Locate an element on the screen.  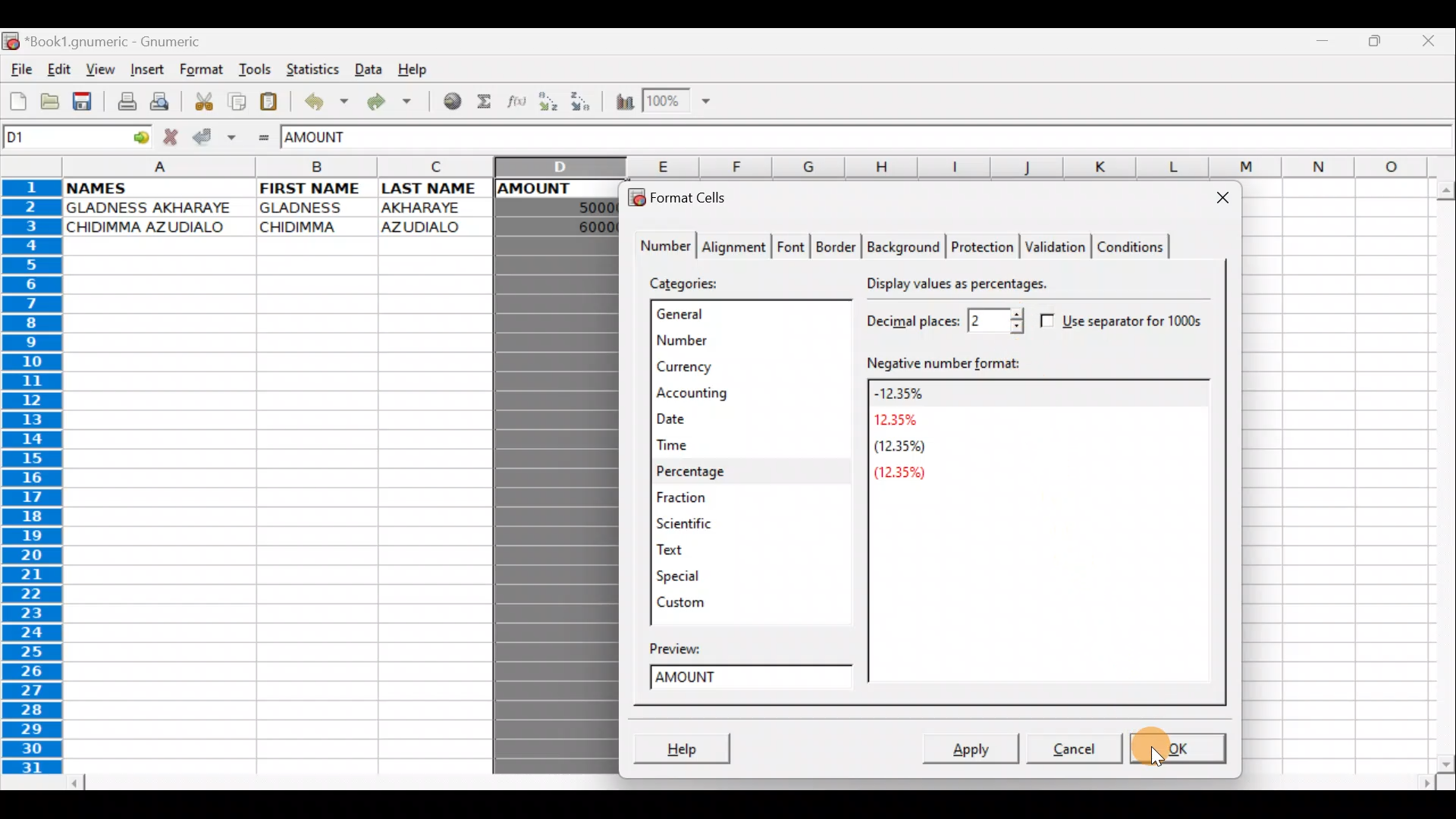
Number is located at coordinates (661, 246).